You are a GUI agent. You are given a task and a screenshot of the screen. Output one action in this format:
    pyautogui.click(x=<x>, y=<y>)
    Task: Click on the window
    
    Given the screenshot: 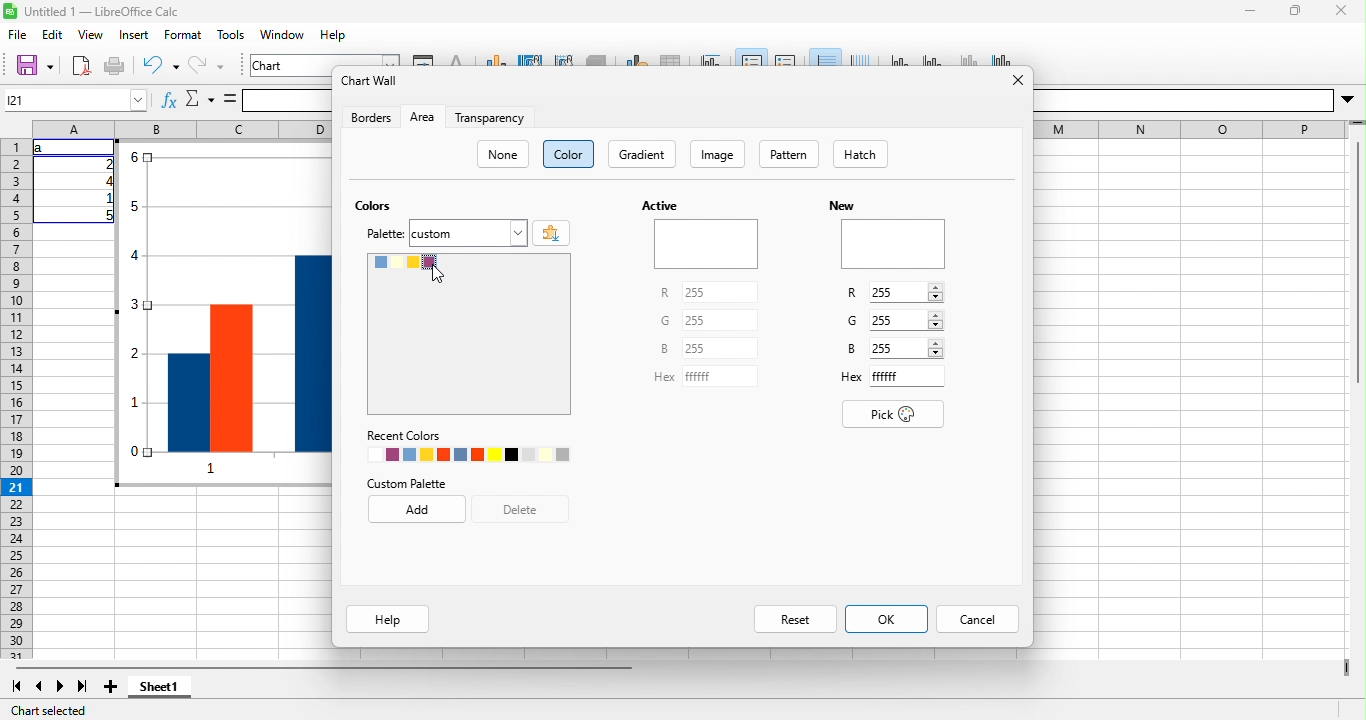 What is the action you would take?
    pyautogui.click(x=283, y=34)
    